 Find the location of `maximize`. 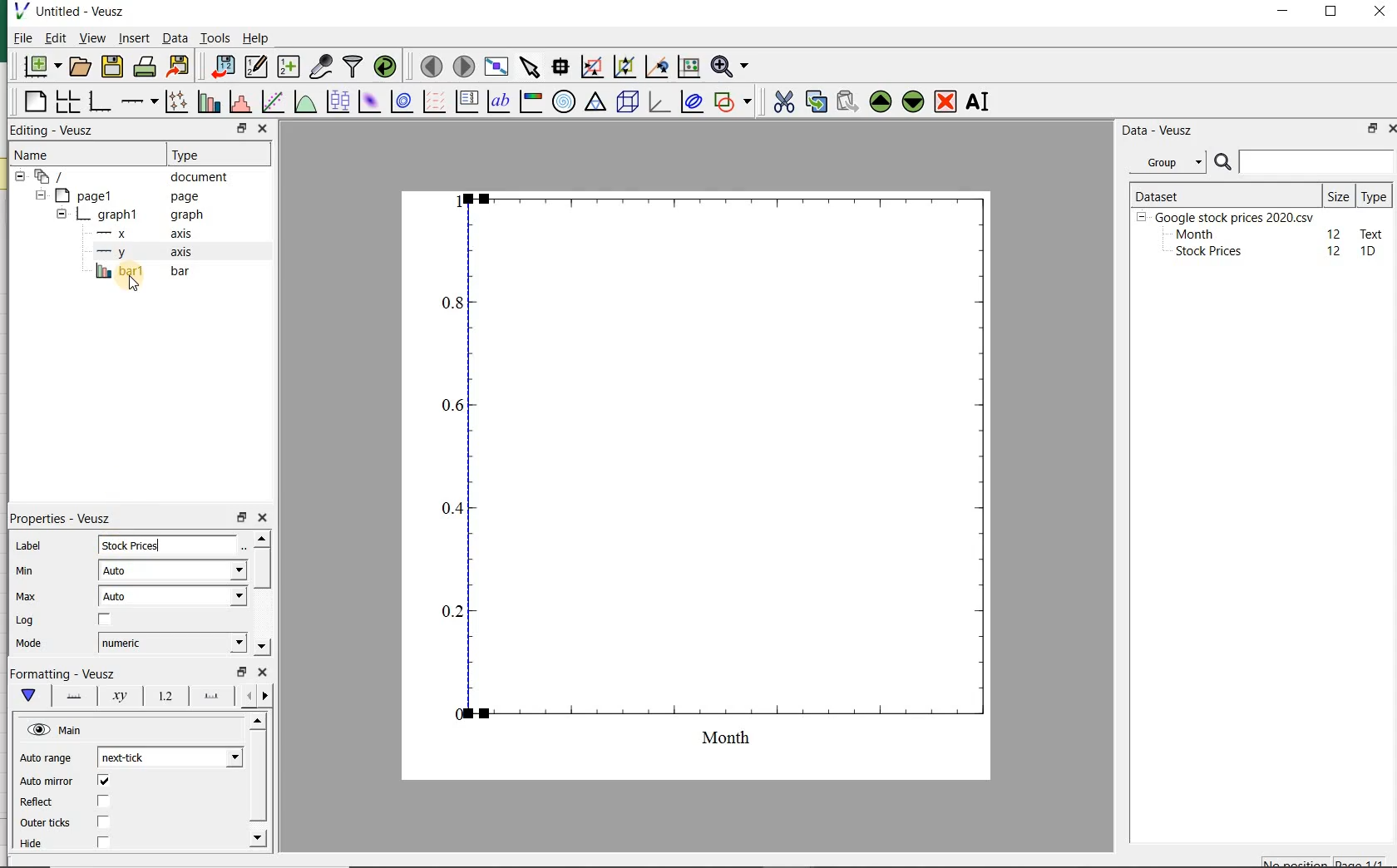

maximize is located at coordinates (1334, 13).